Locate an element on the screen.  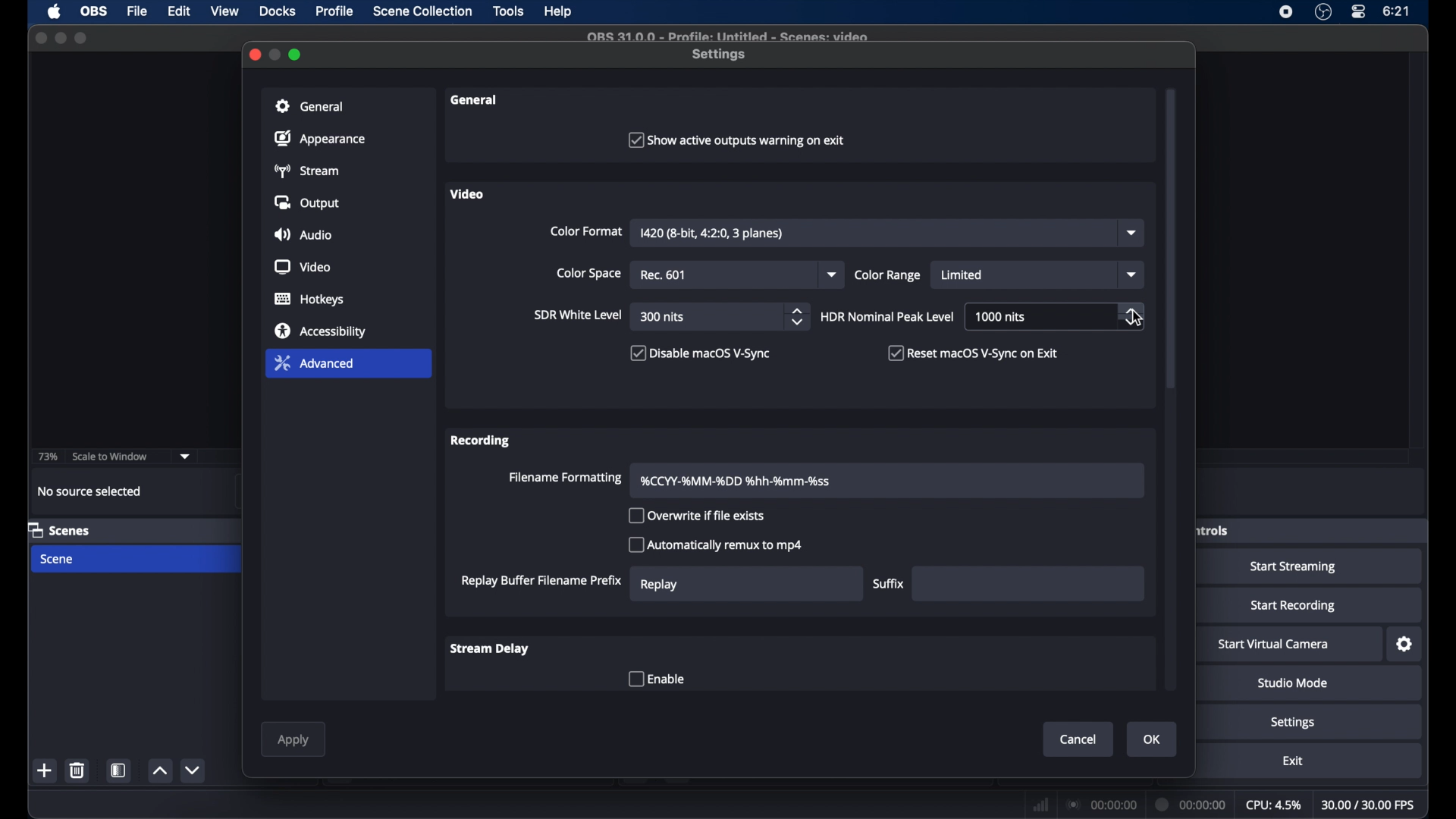
start streaming is located at coordinates (1294, 566).